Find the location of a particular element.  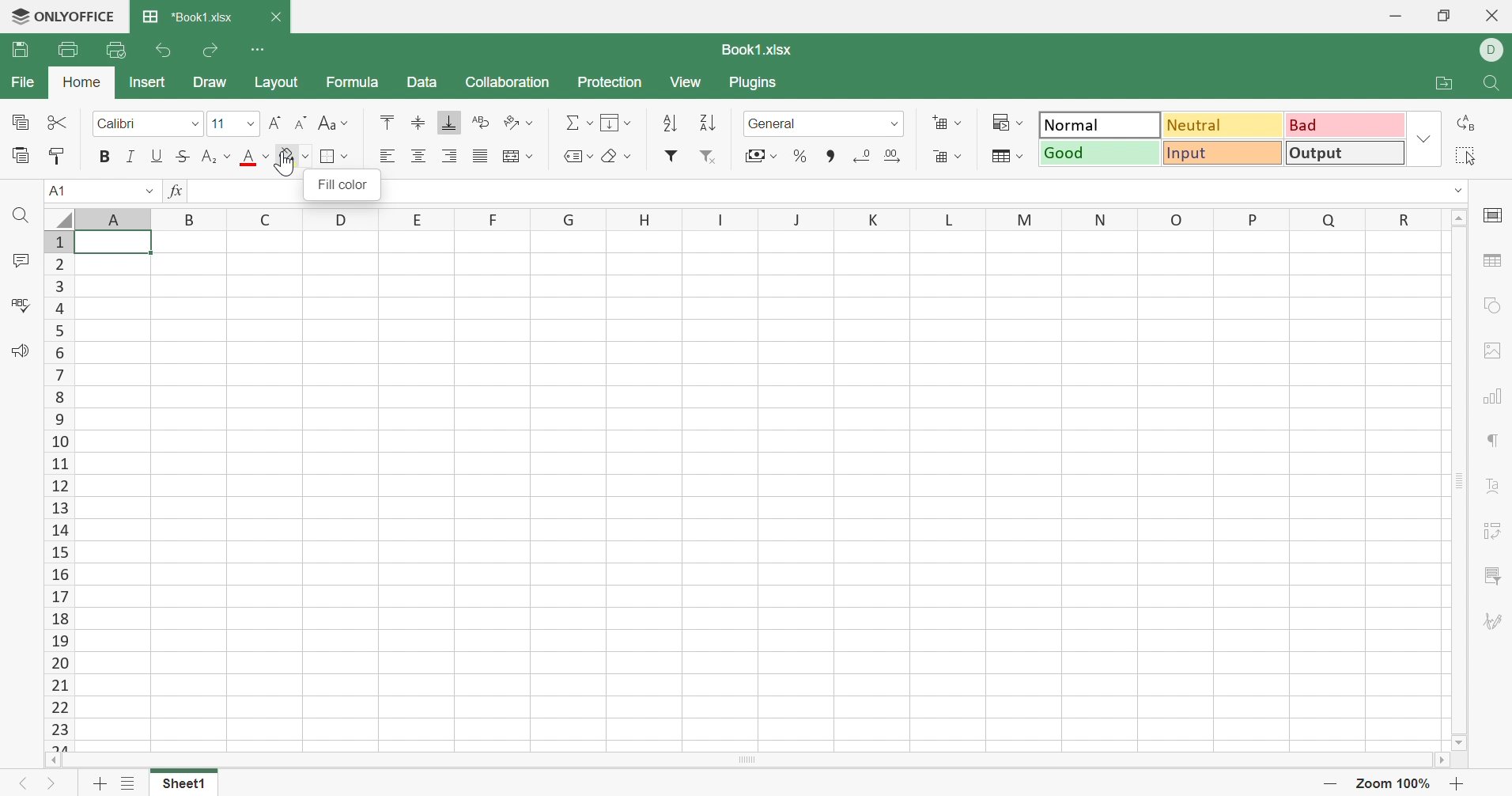

Text Art settings is located at coordinates (1495, 489).